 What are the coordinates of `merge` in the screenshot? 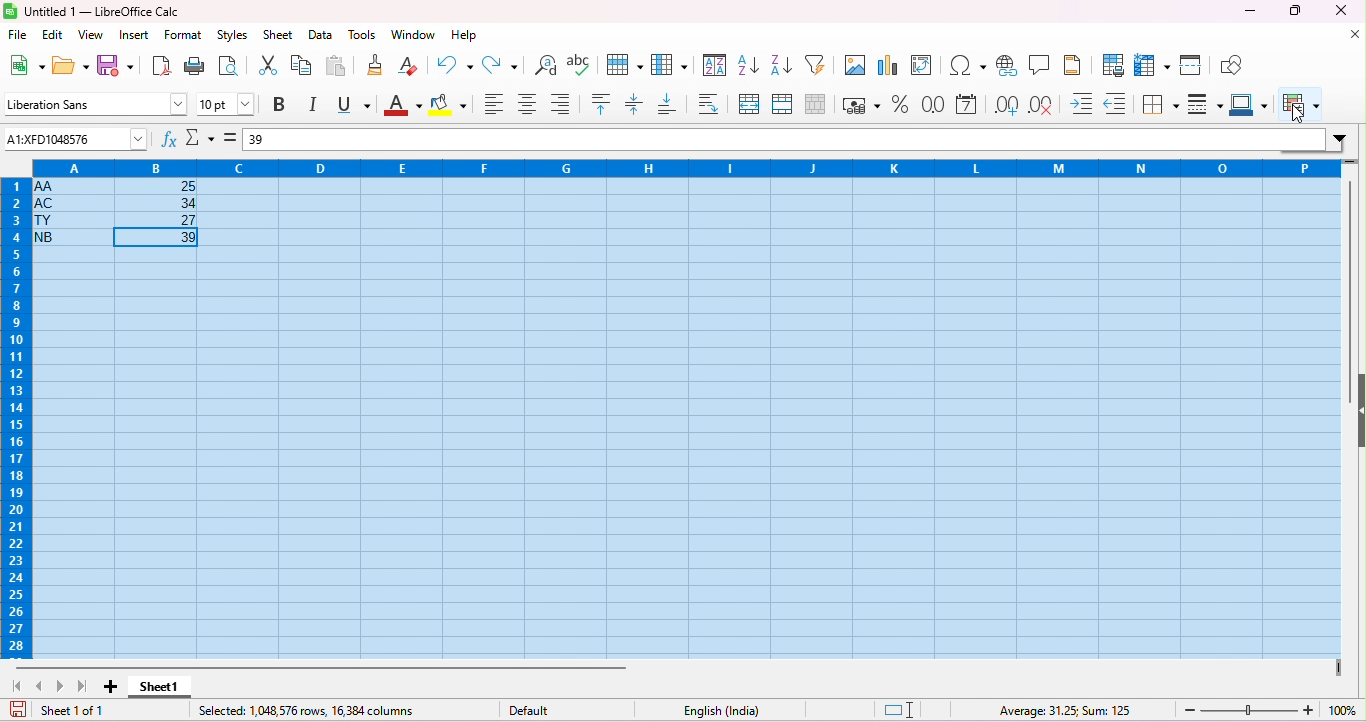 It's located at (782, 103).